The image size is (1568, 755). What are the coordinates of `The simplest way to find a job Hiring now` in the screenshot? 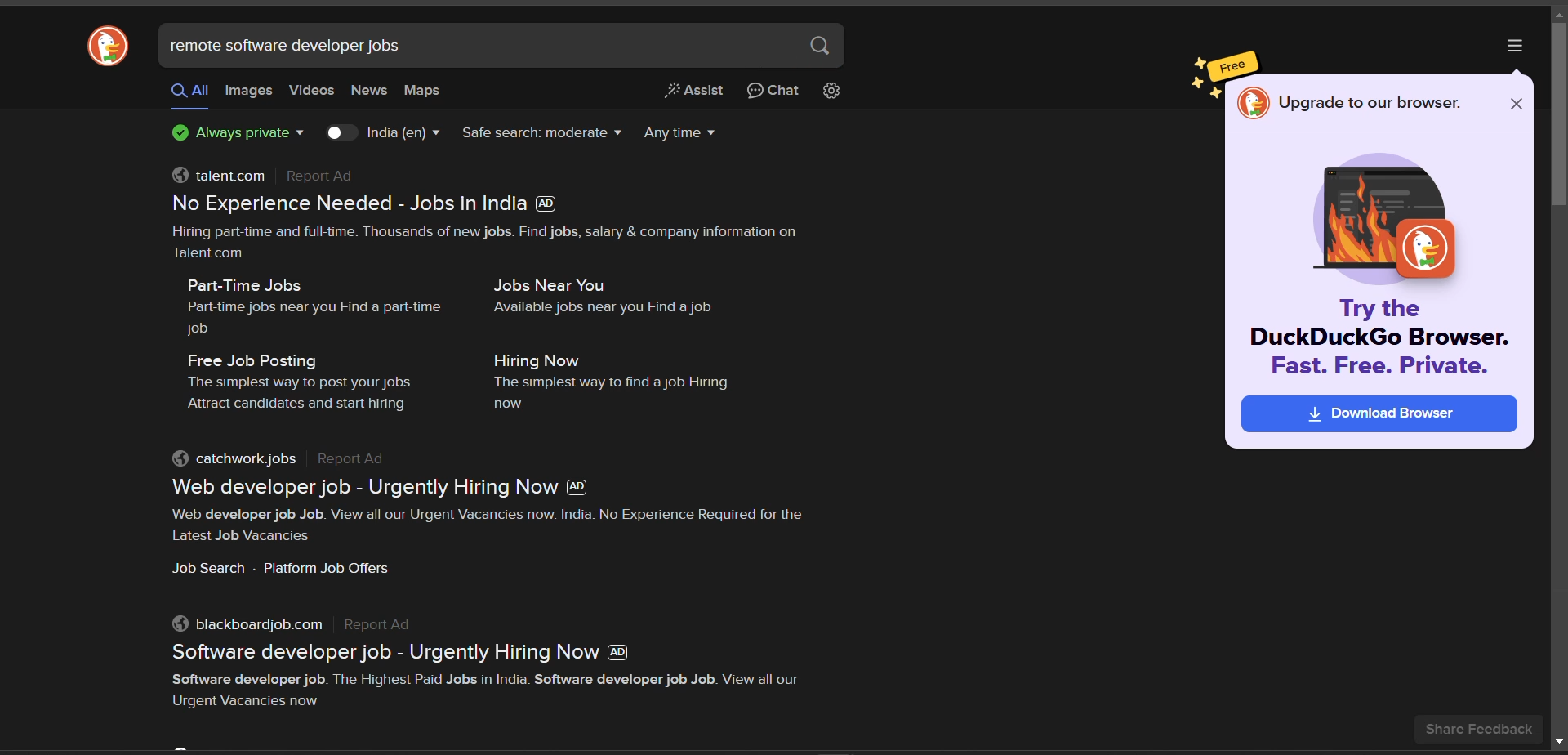 It's located at (615, 395).